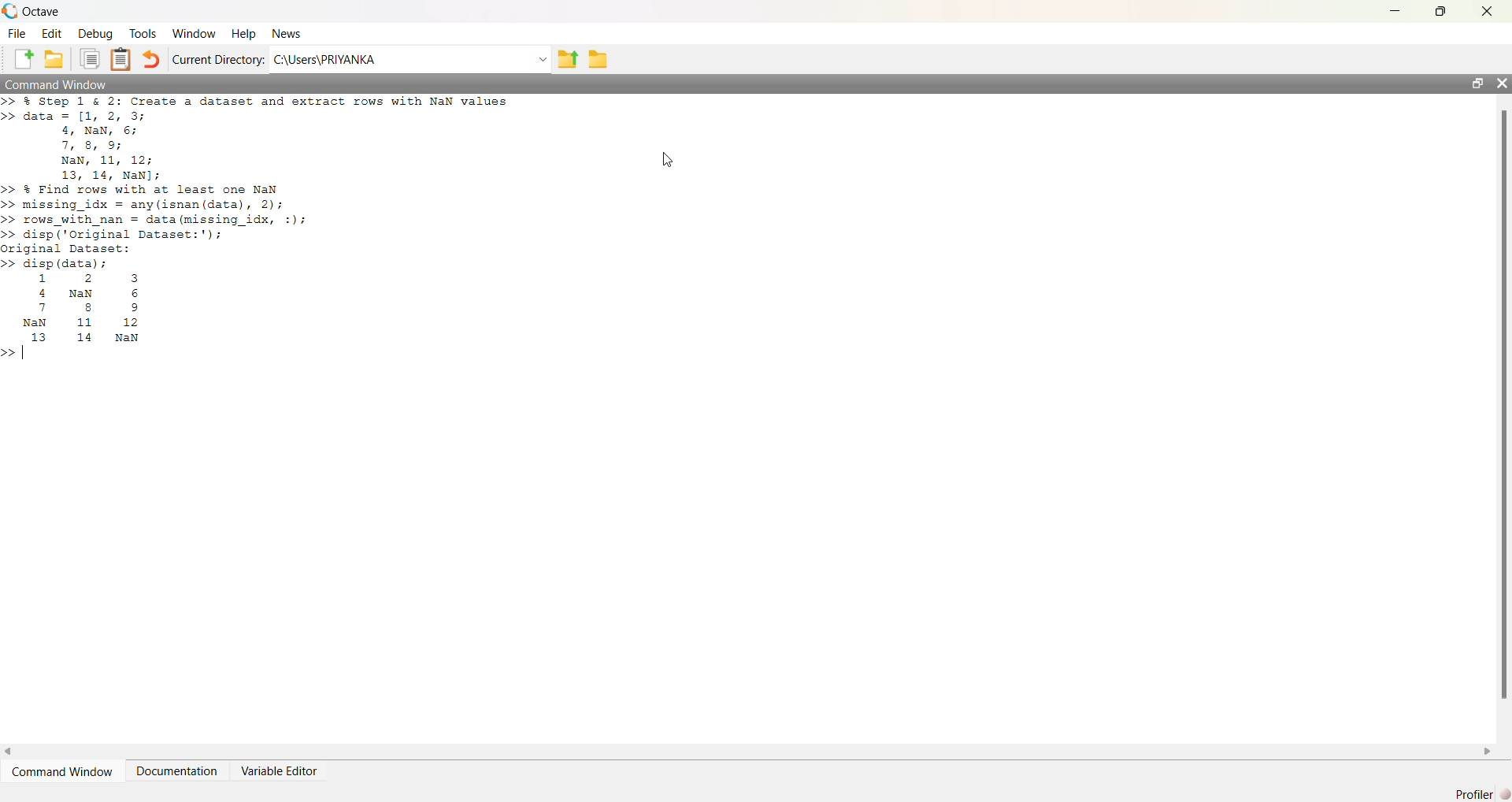  What do you see at coordinates (278, 771) in the screenshot?
I see `Variable Editor` at bounding box center [278, 771].